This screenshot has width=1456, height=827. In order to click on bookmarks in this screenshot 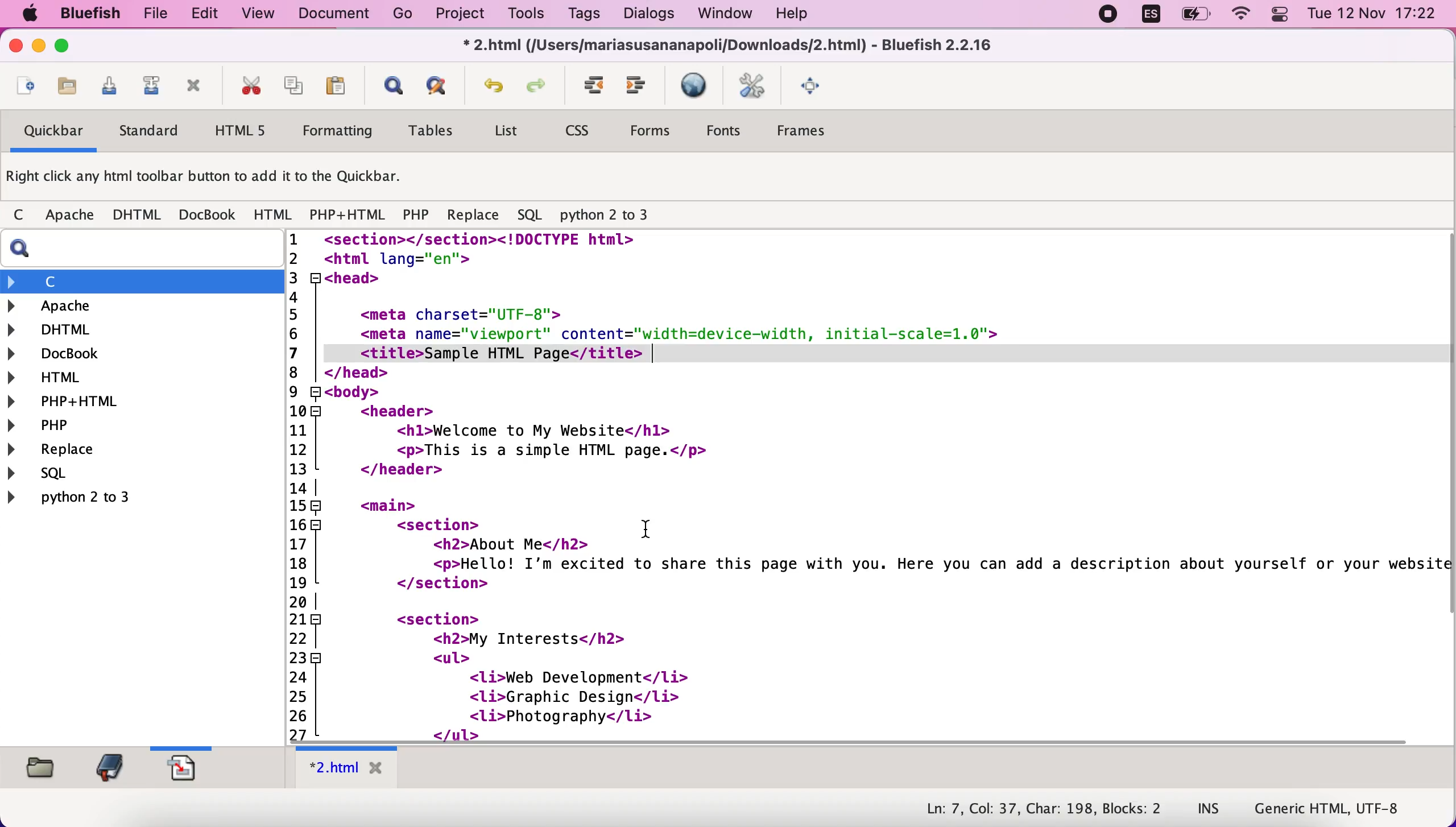, I will do `click(111, 769)`.